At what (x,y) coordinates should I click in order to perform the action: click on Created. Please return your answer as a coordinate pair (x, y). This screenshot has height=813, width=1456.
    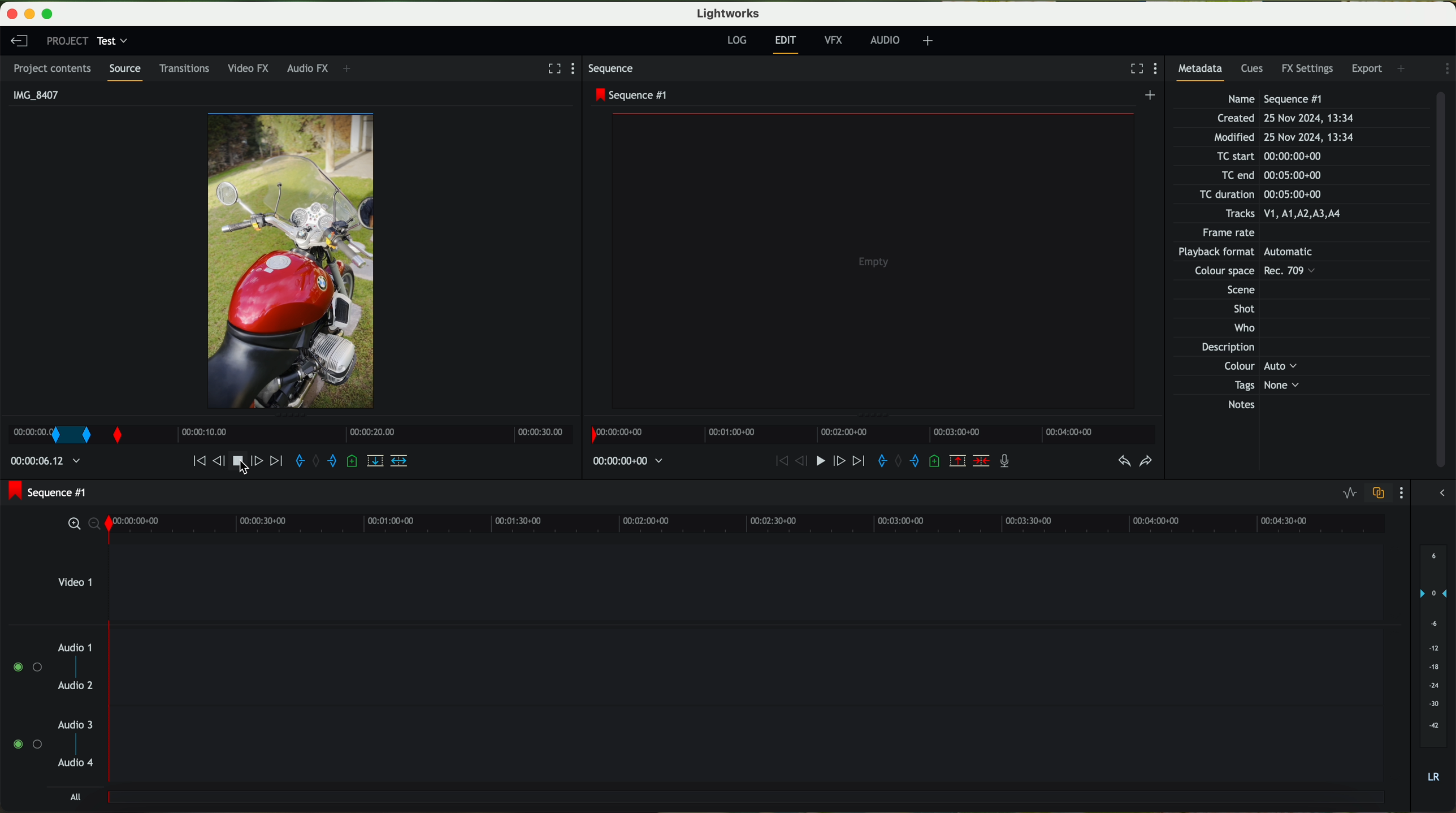
    Looking at the image, I should click on (1285, 119).